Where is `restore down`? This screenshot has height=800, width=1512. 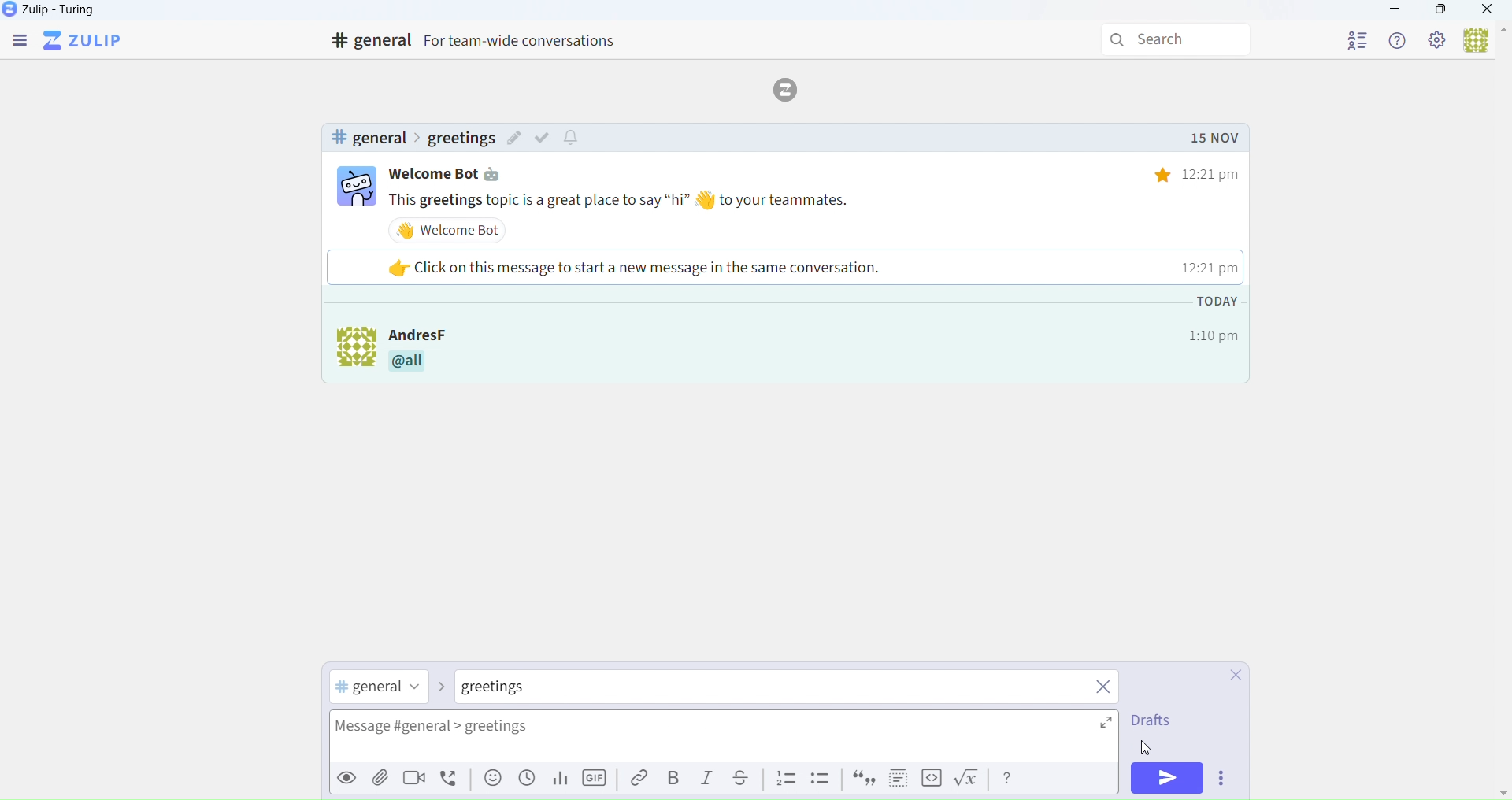
restore down is located at coordinates (1439, 12).